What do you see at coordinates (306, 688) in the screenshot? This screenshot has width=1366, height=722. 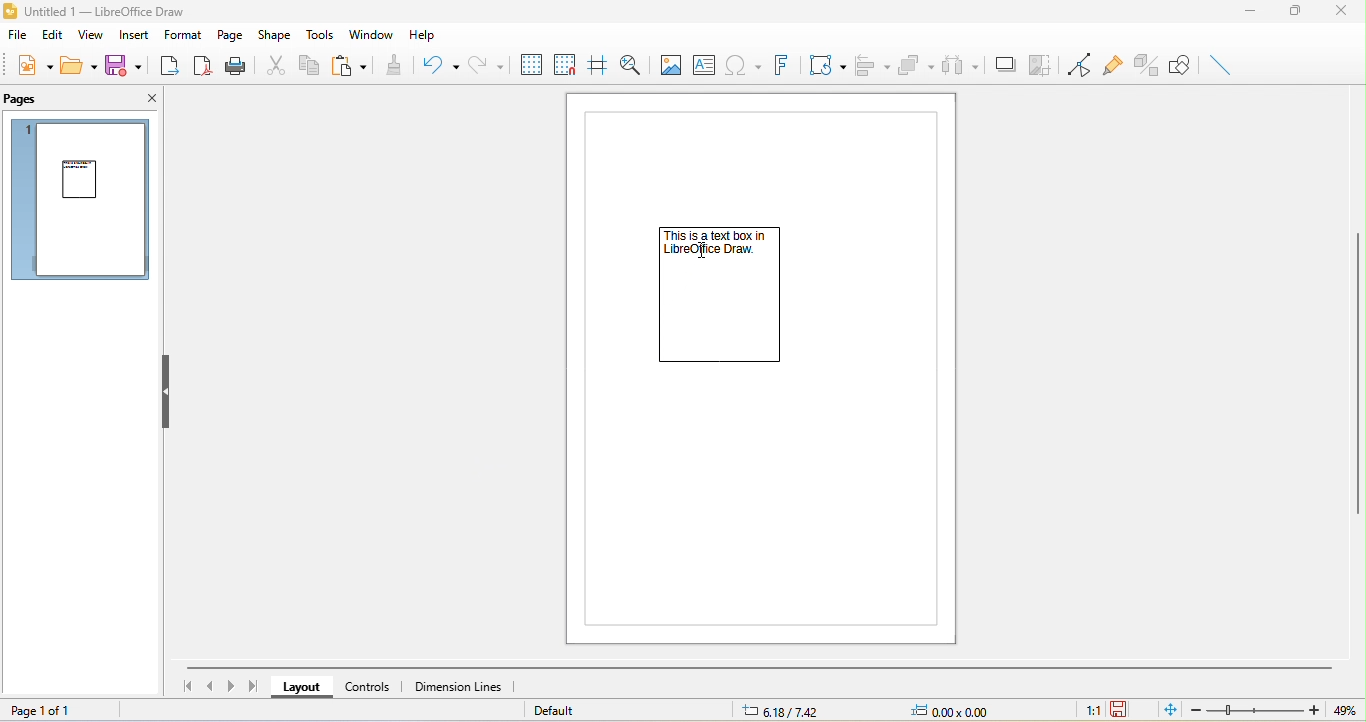 I see `layout` at bounding box center [306, 688].